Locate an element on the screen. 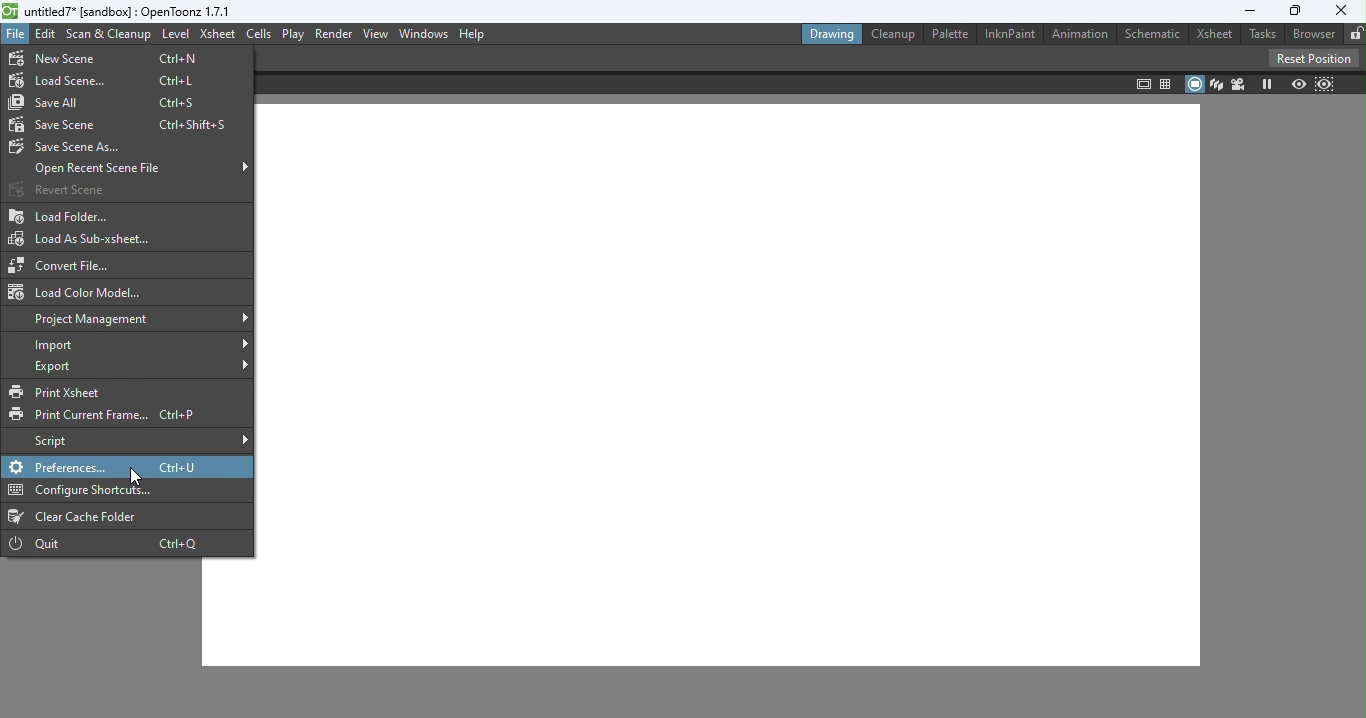  Tasks is located at coordinates (1261, 34).